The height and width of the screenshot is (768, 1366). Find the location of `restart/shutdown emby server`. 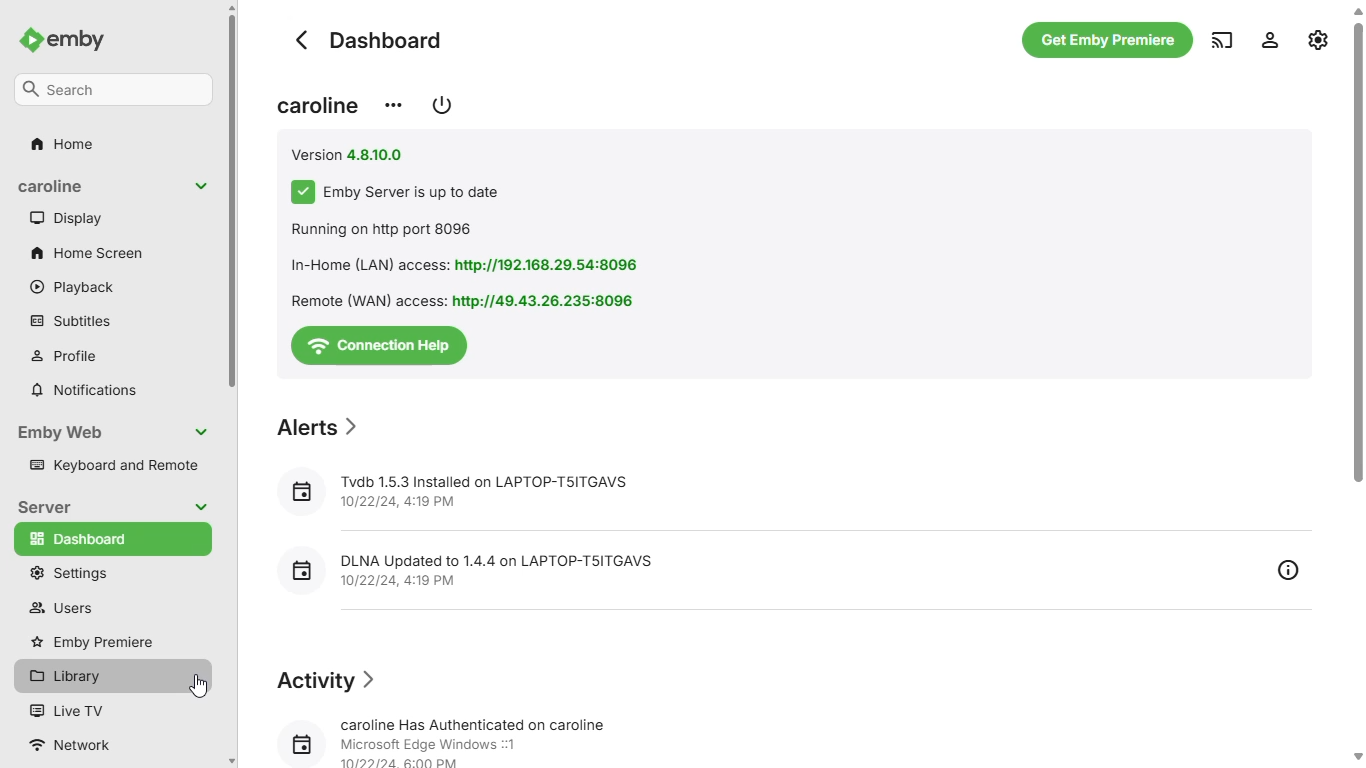

restart/shutdown emby server is located at coordinates (442, 104).